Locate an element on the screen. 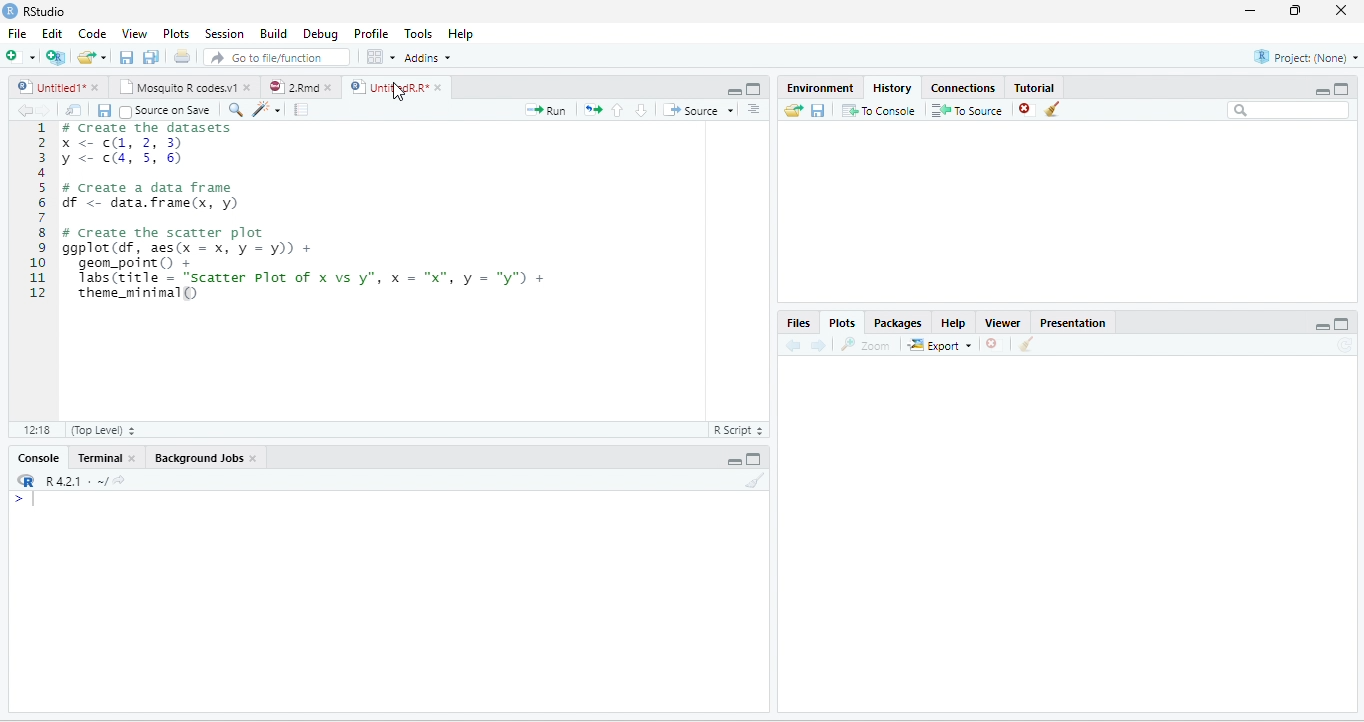 Image resolution: width=1364 pixels, height=722 pixels. Load history from an existing file is located at coordinates (792, 111).